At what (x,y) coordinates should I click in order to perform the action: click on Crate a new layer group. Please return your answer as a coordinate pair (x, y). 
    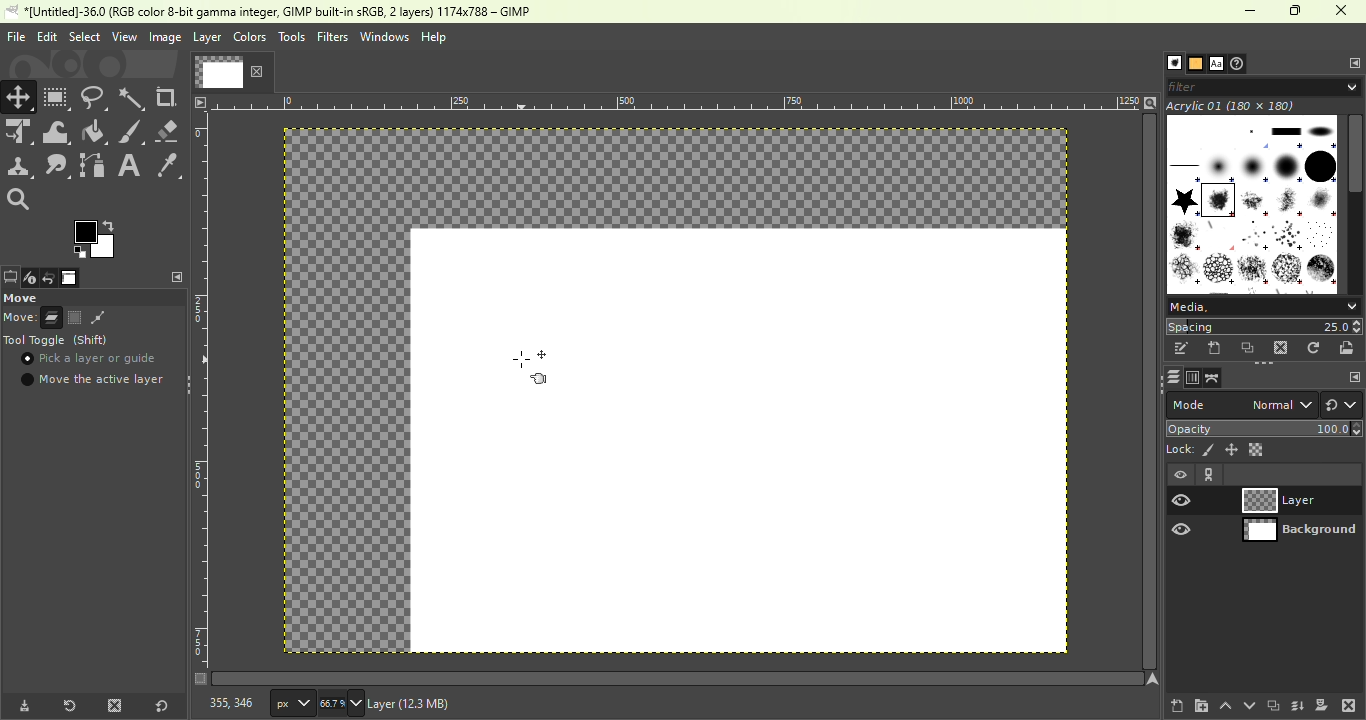
    Looking at the image, I should click on (1200, 705).